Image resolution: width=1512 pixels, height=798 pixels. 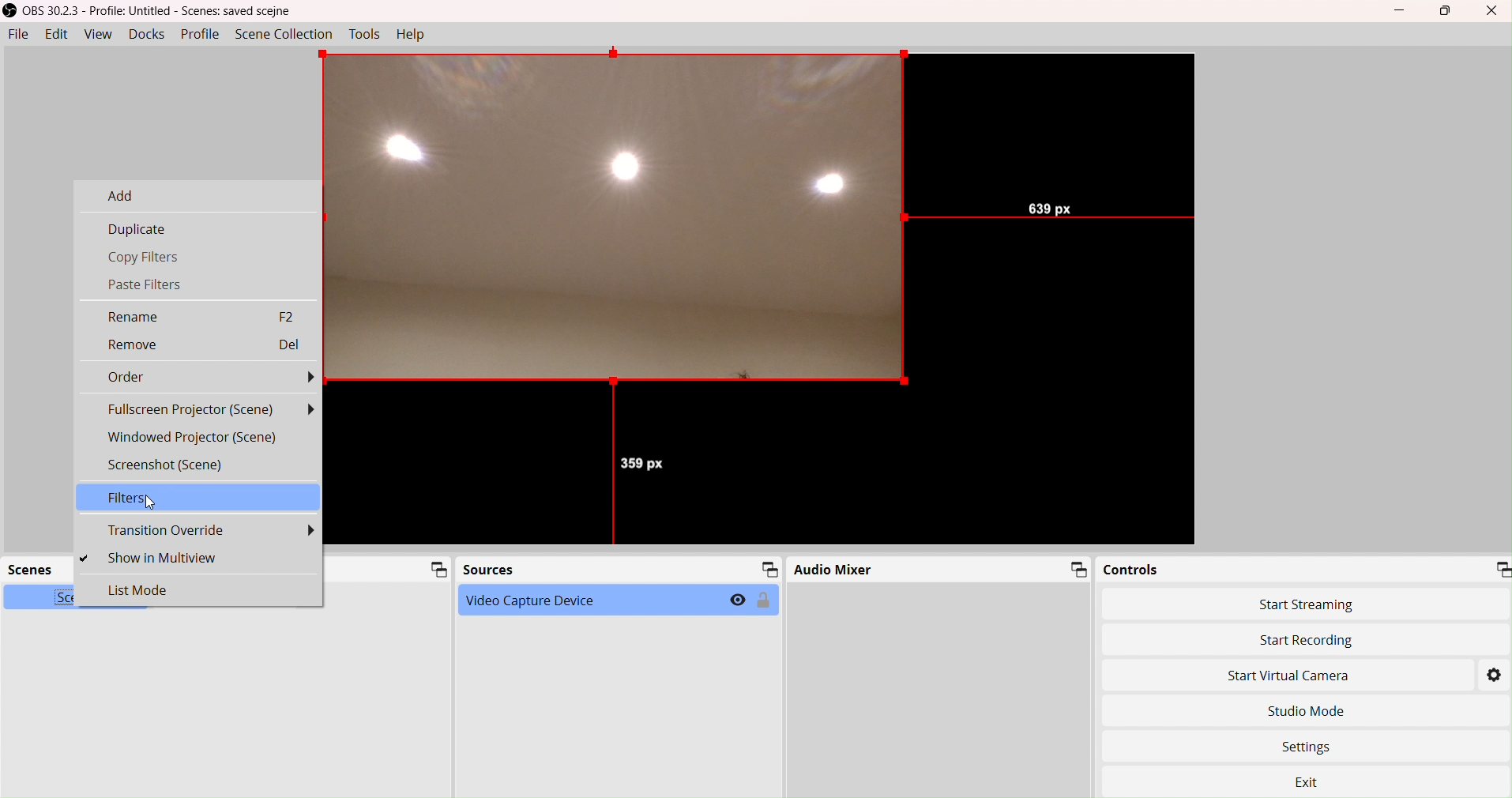 What do you see at coordinates (180, 11) in the screenshot?
I see `` at bounding box center [180, 11].